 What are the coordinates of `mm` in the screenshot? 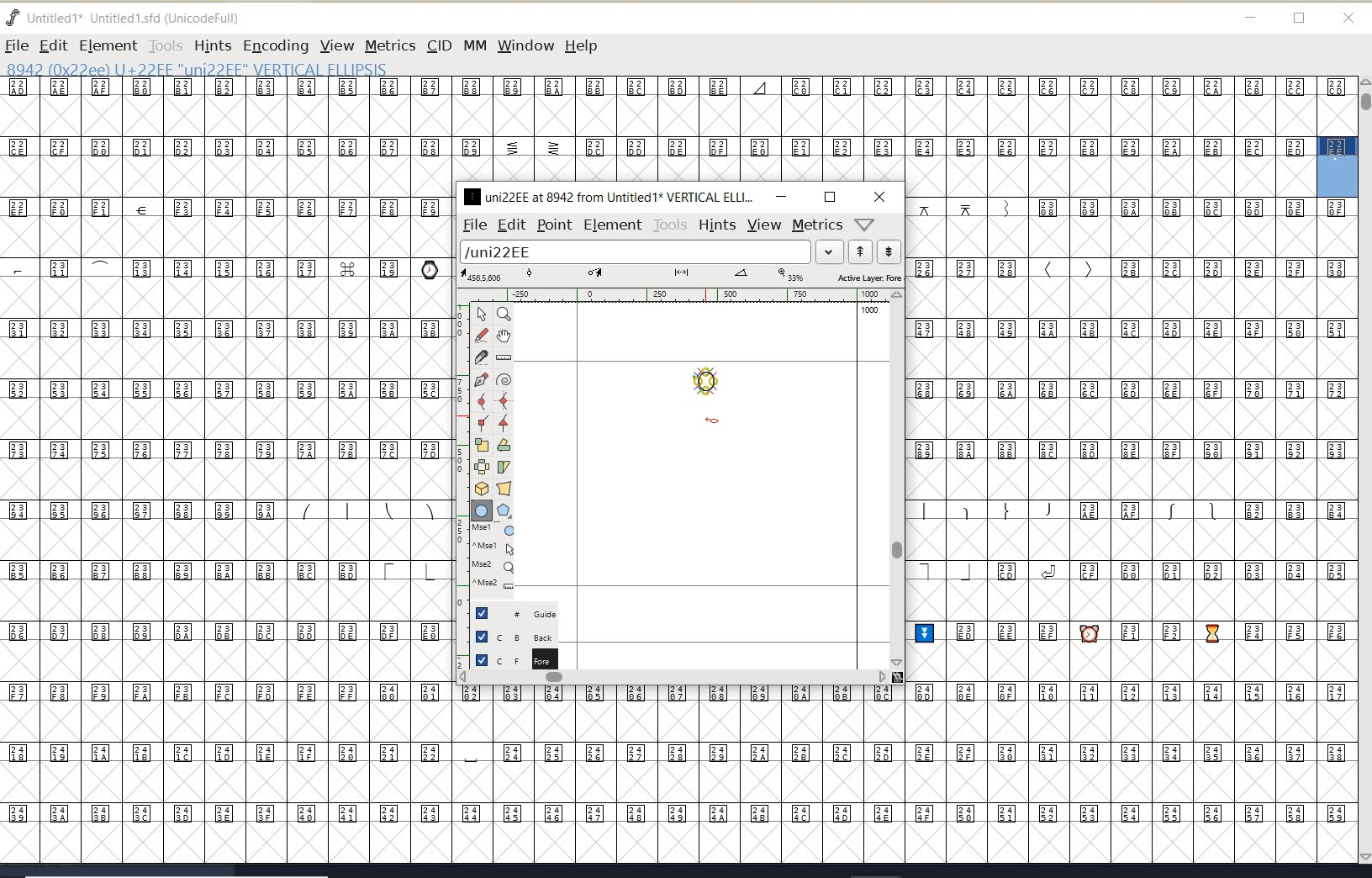 It's located at (473, 43).